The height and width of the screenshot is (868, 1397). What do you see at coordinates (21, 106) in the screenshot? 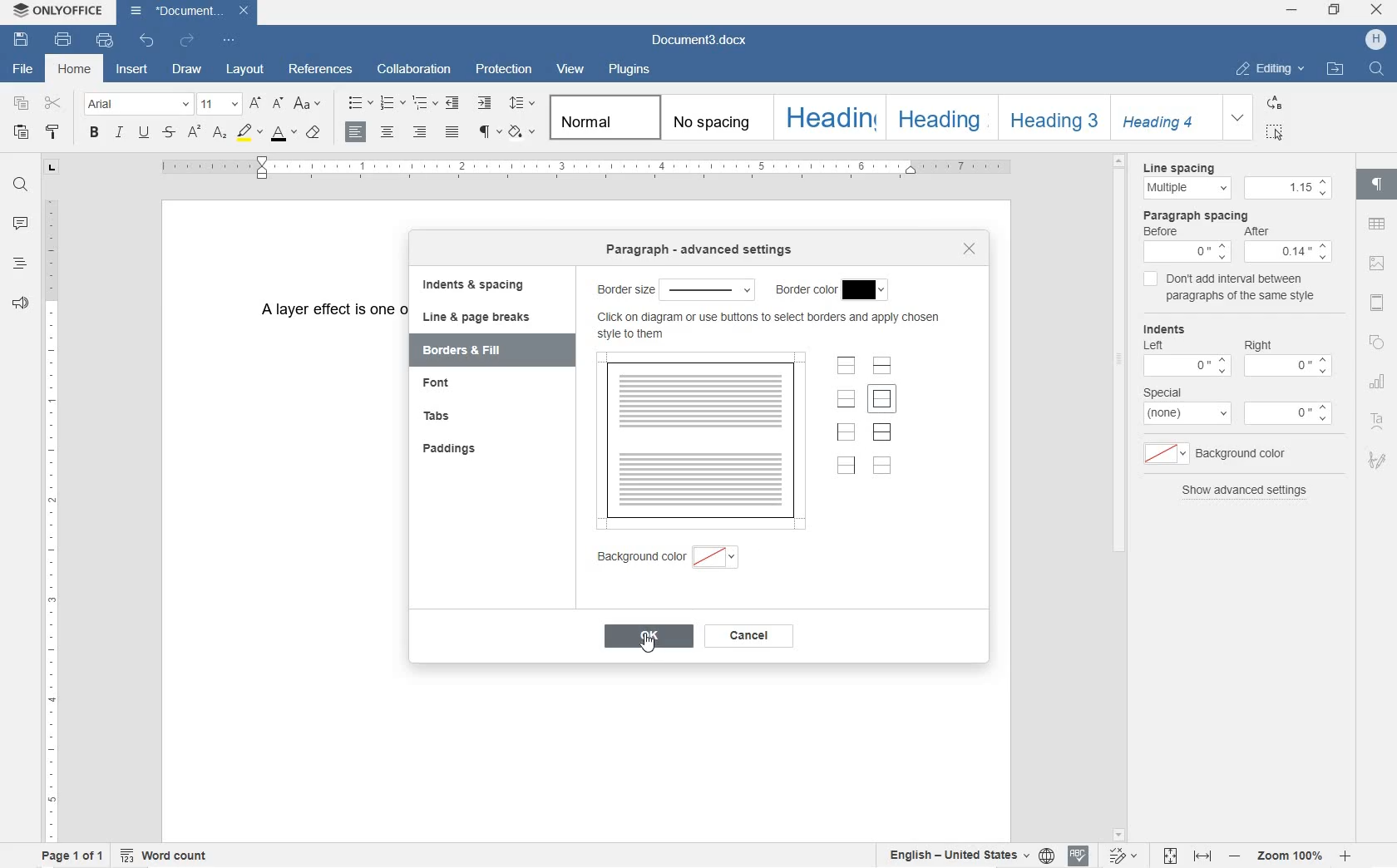
I see `COPY` at bounding box center [21, 106].